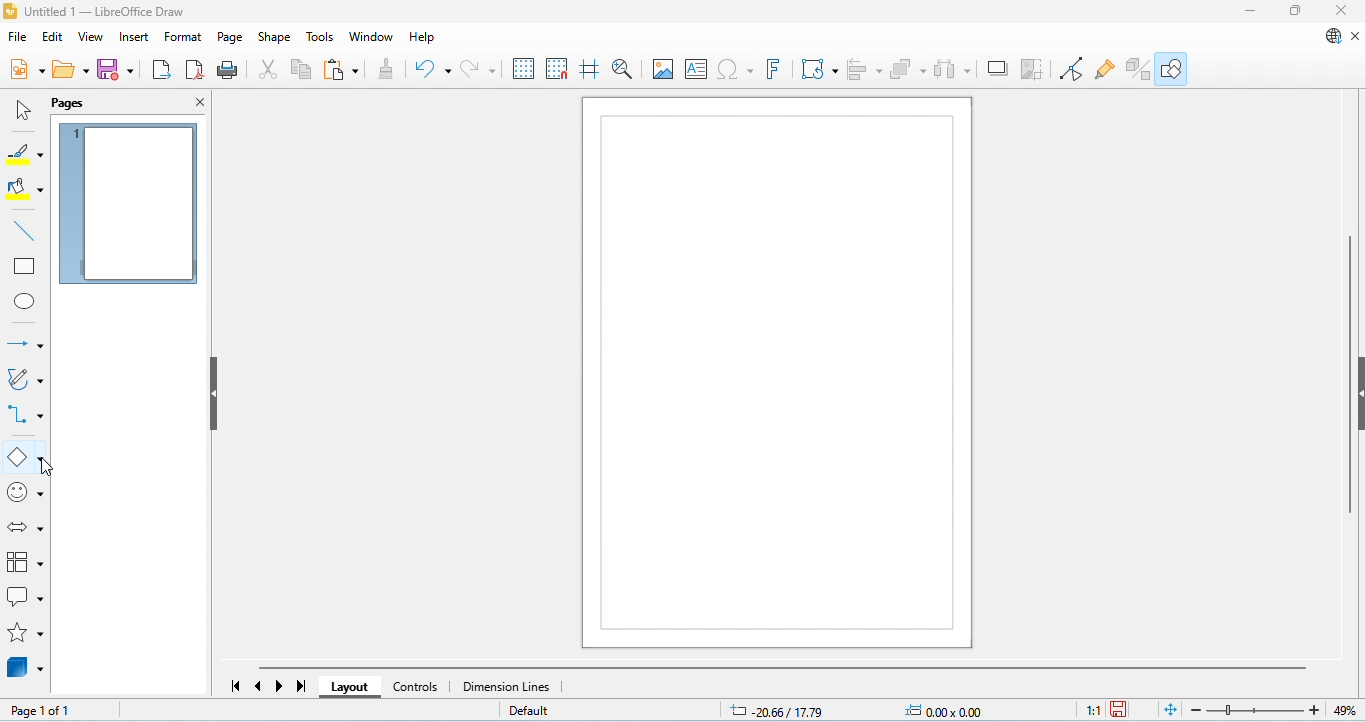  What do you see at coordinates (27, 414) in the screenshot?
I see `connectors` at bounding box center [27, 414].